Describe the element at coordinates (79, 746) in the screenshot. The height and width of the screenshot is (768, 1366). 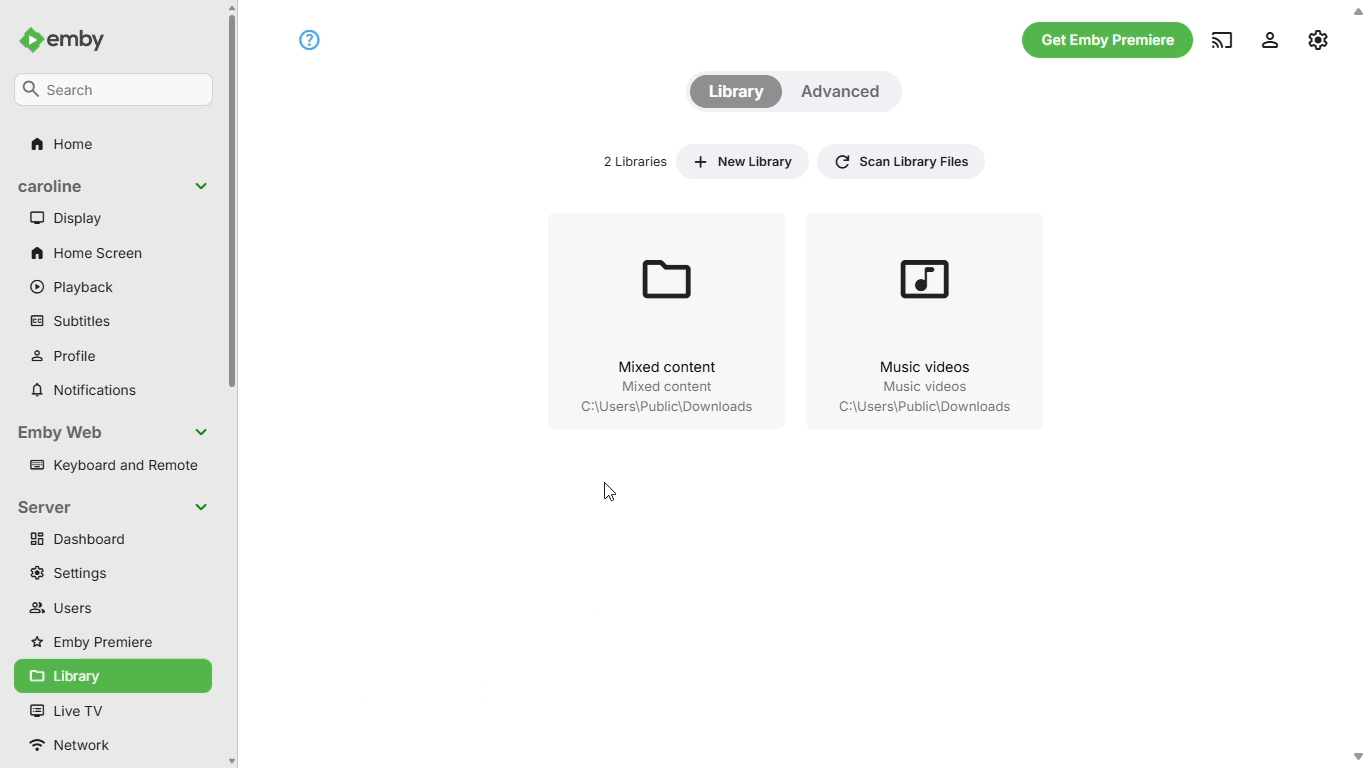
I see `network` at that location.